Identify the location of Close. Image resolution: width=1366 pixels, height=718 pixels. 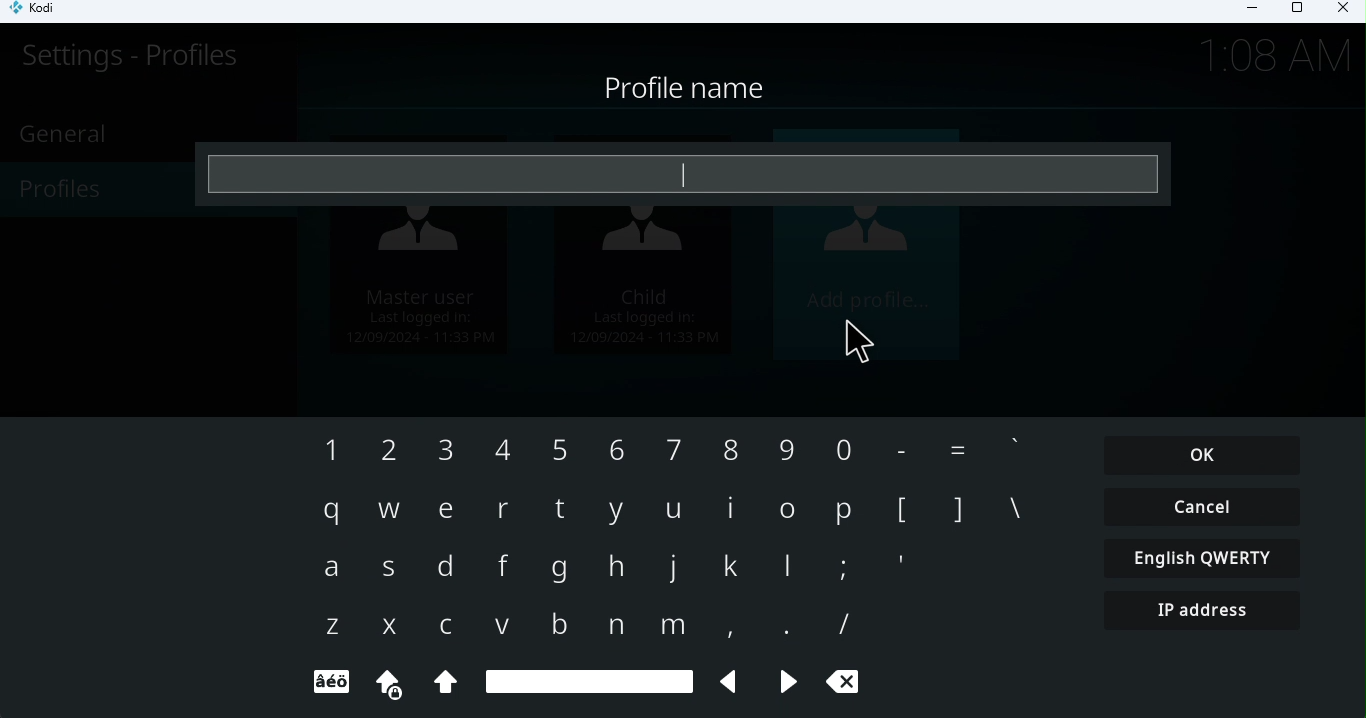
(1340, 11).